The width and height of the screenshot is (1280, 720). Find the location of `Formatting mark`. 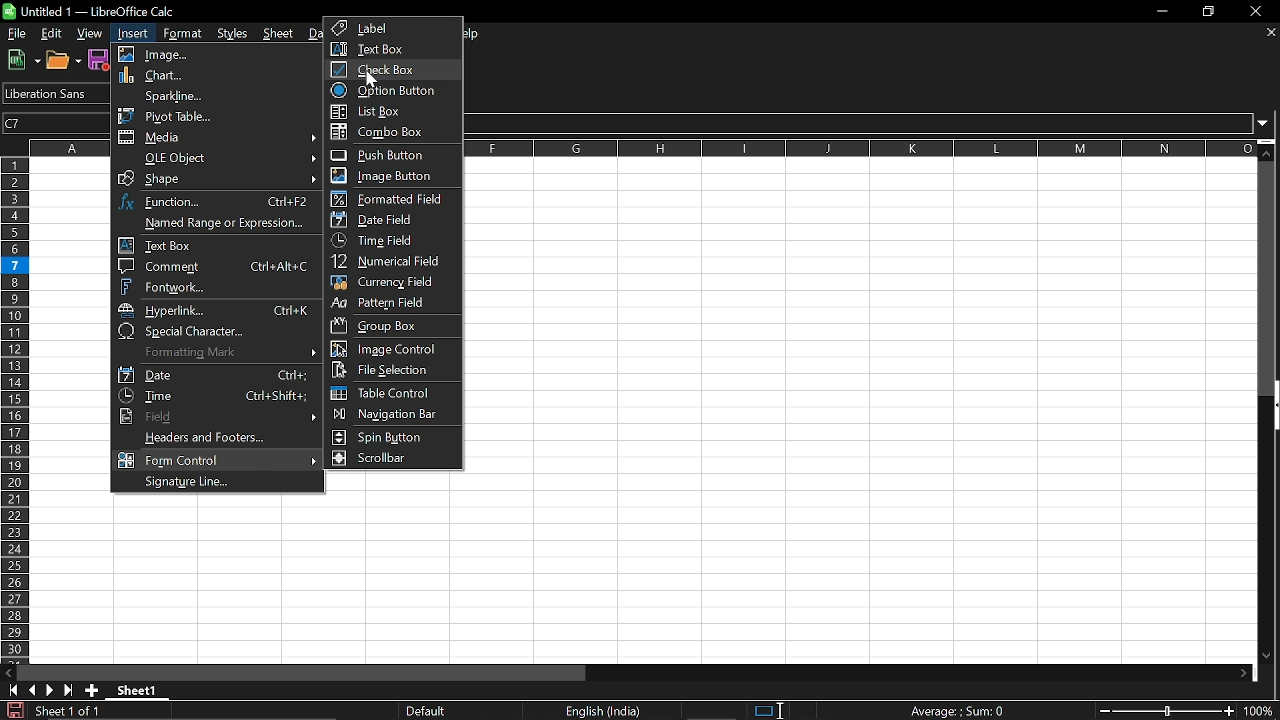

Formatting mark is located at coordinates (217, 353).